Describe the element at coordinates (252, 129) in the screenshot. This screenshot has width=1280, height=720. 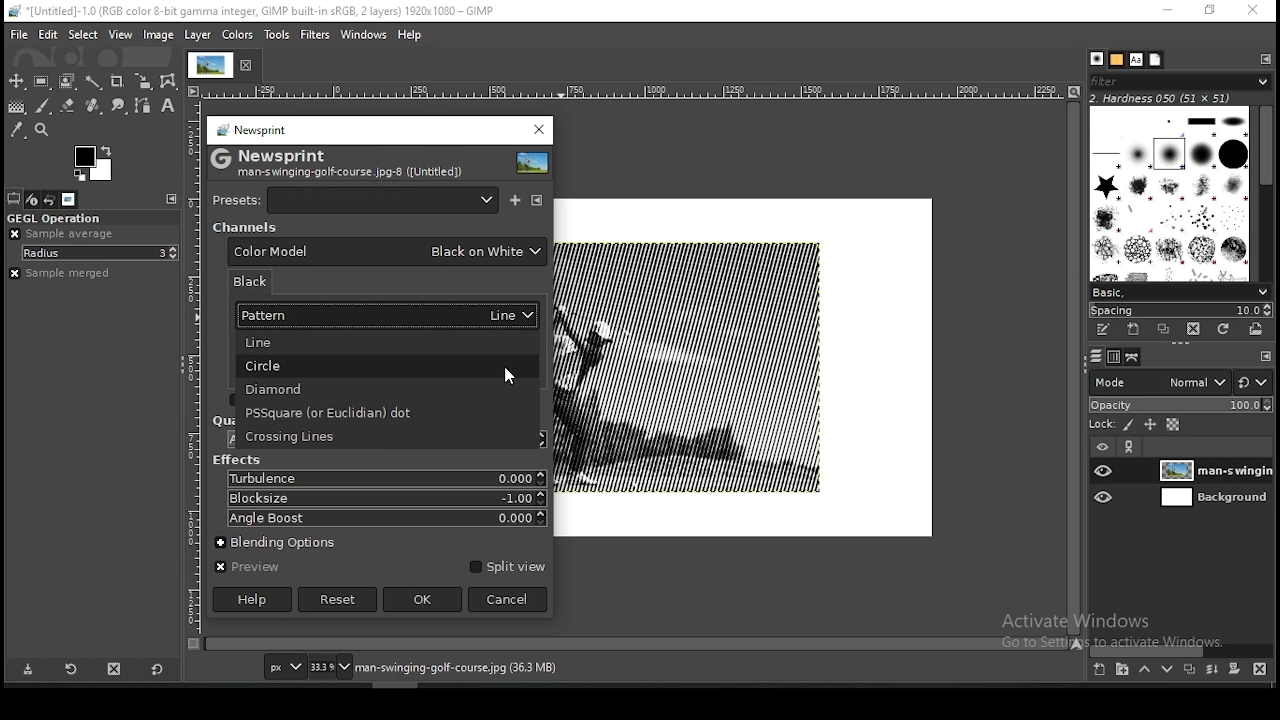
I see `news print` at that location.